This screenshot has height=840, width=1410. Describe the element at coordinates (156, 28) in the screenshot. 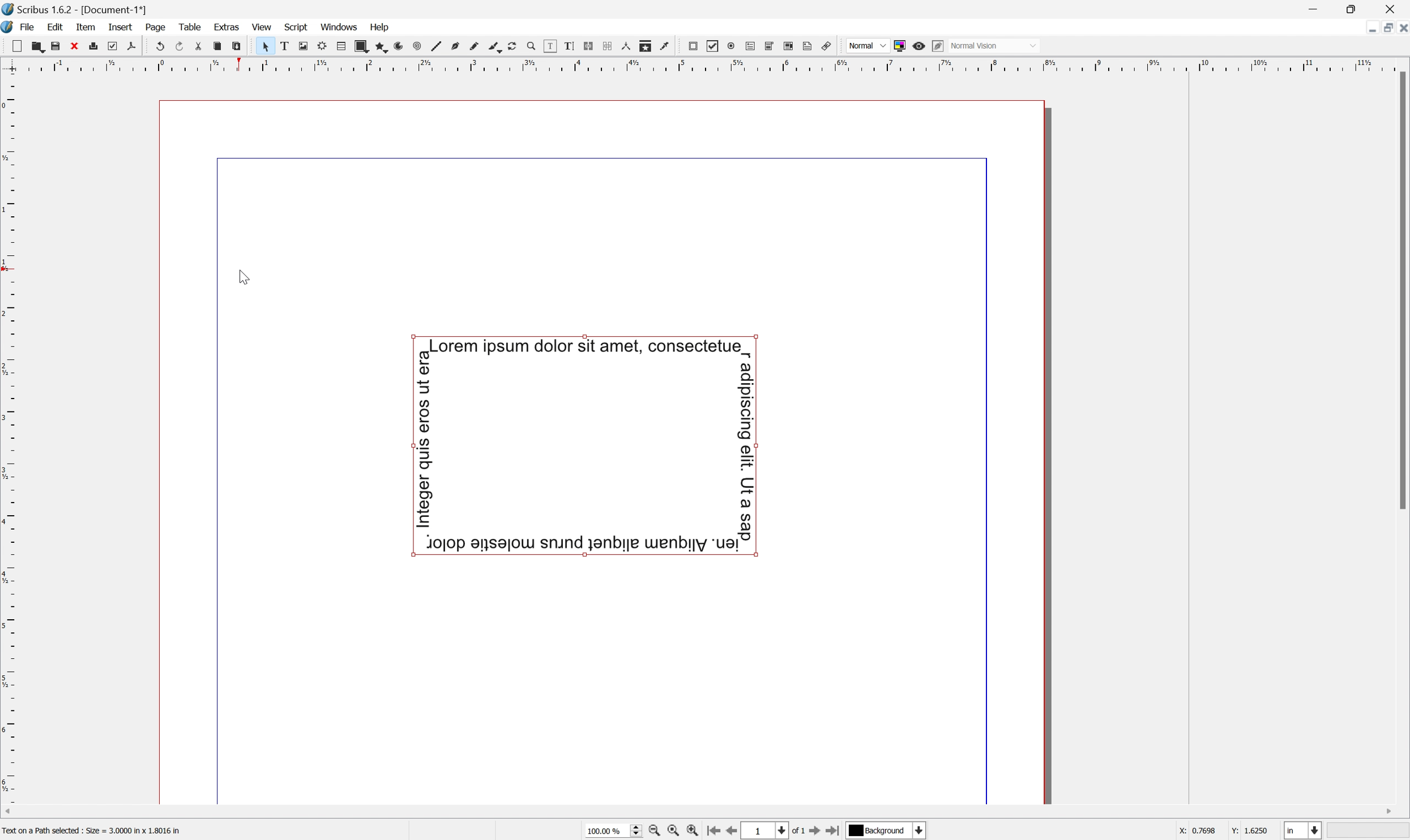

I see `Page` at that location.